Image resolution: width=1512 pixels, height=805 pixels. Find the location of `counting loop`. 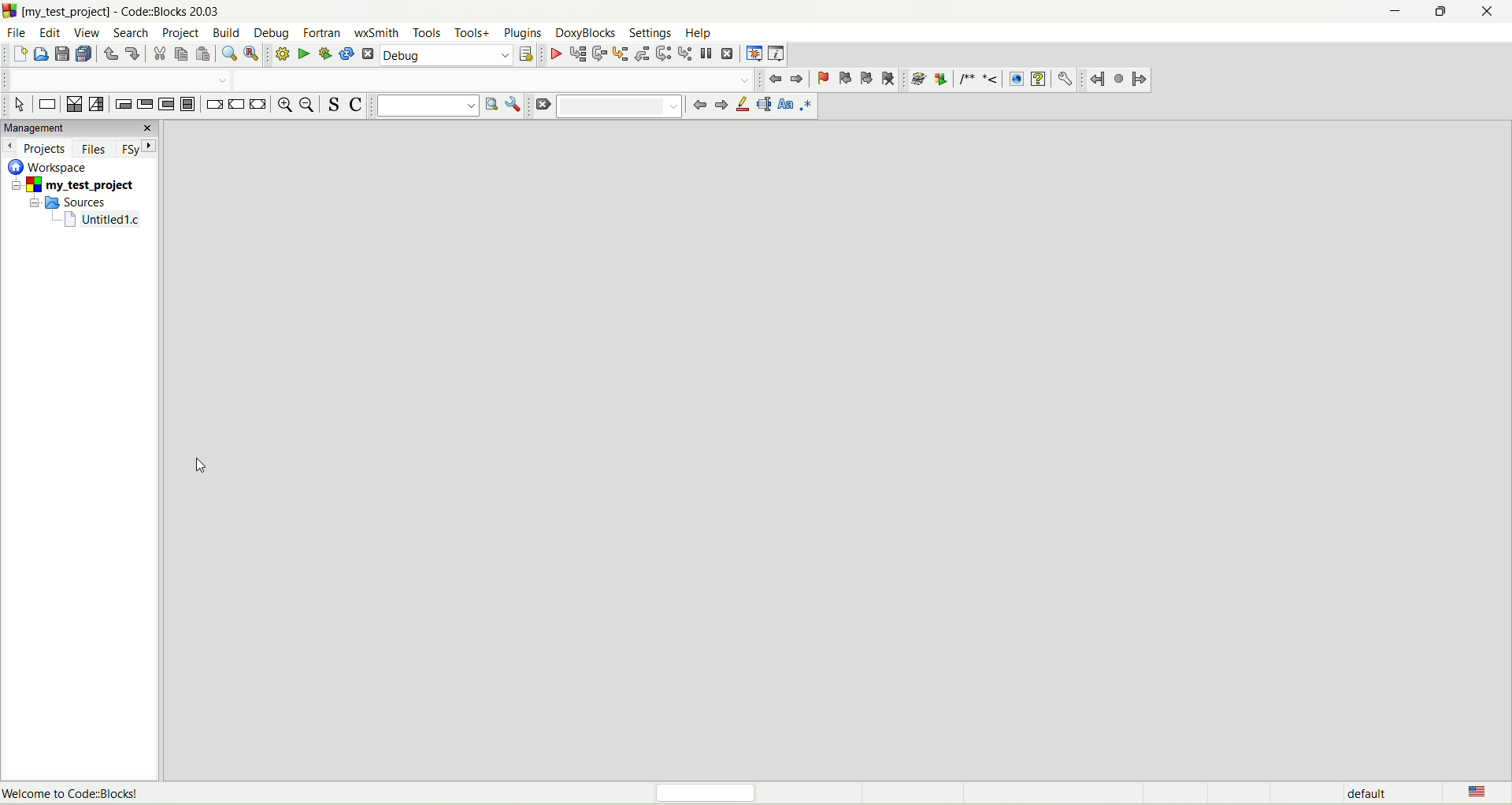

counting loop is located at coordinates (169, 105).